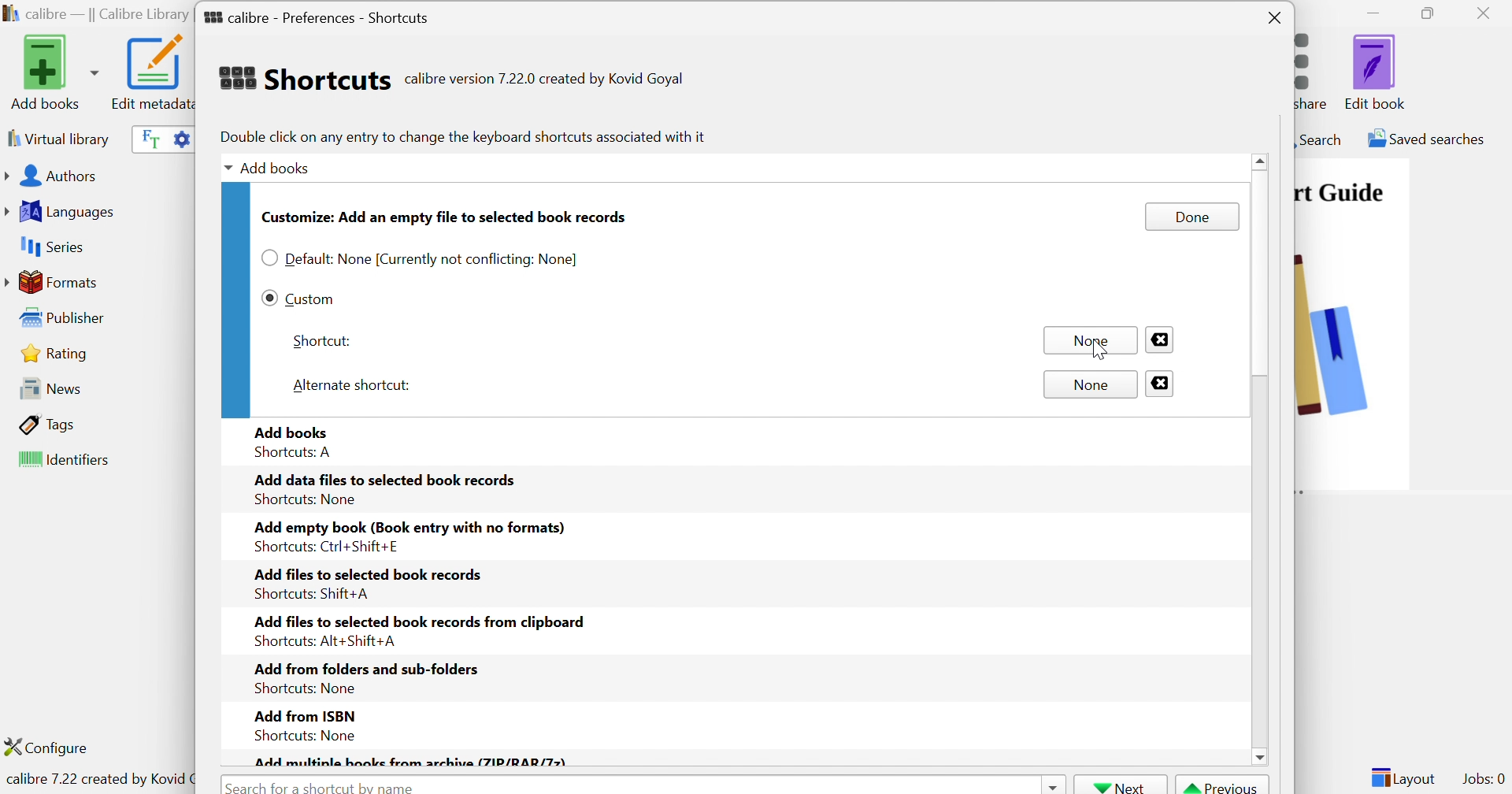  Describe the element at coordinates (354, 384) in the screenshot. I see `Alternate shortcut` at that location.